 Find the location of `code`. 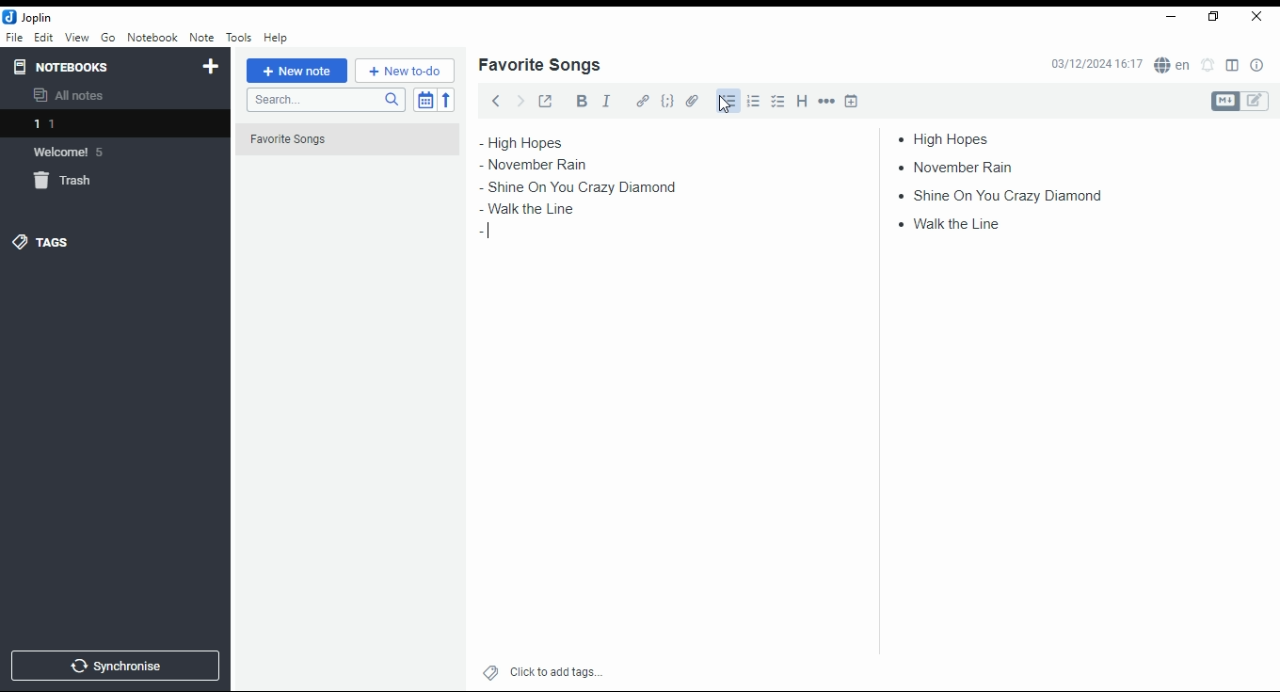

code is located at coordinates (667, 101).